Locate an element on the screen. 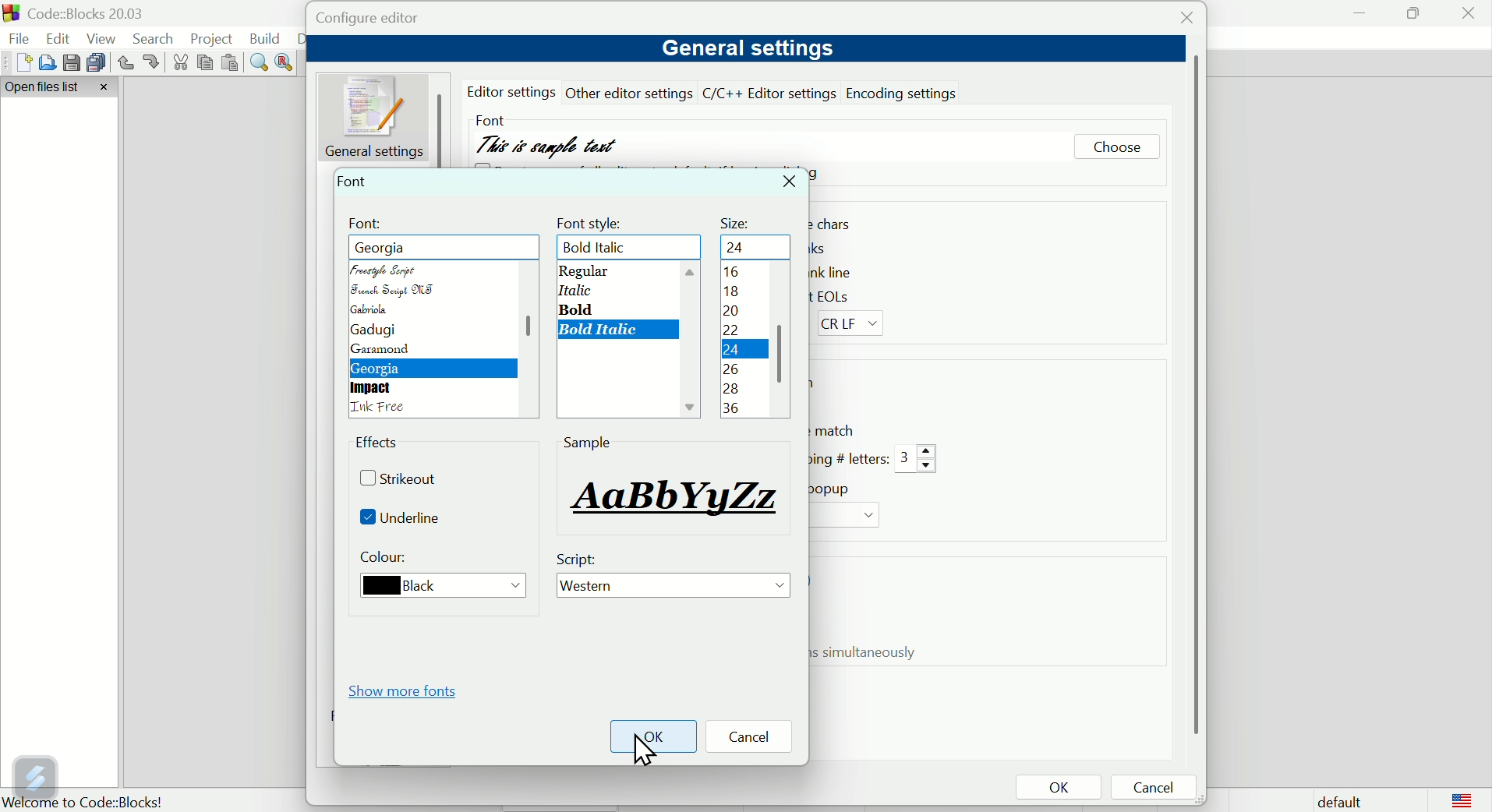  cut is located at coordinates (182, 63).